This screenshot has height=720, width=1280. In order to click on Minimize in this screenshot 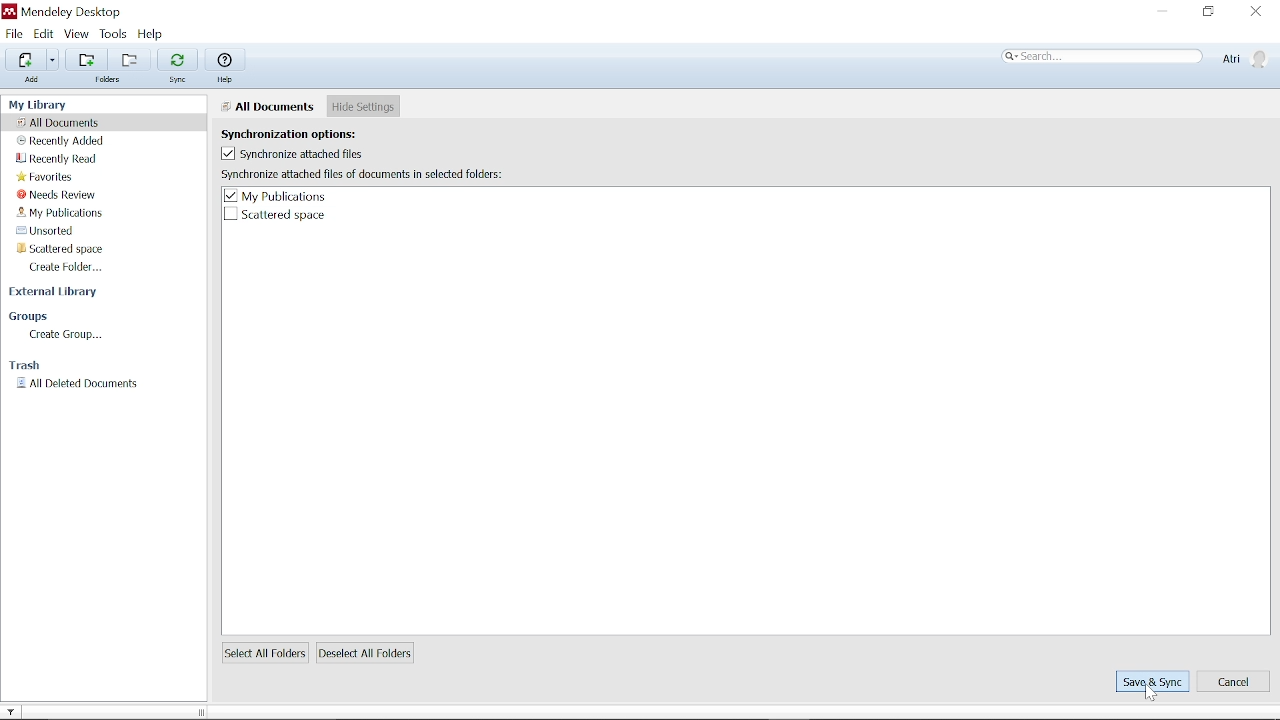, I will do `click(1164, 12)`.